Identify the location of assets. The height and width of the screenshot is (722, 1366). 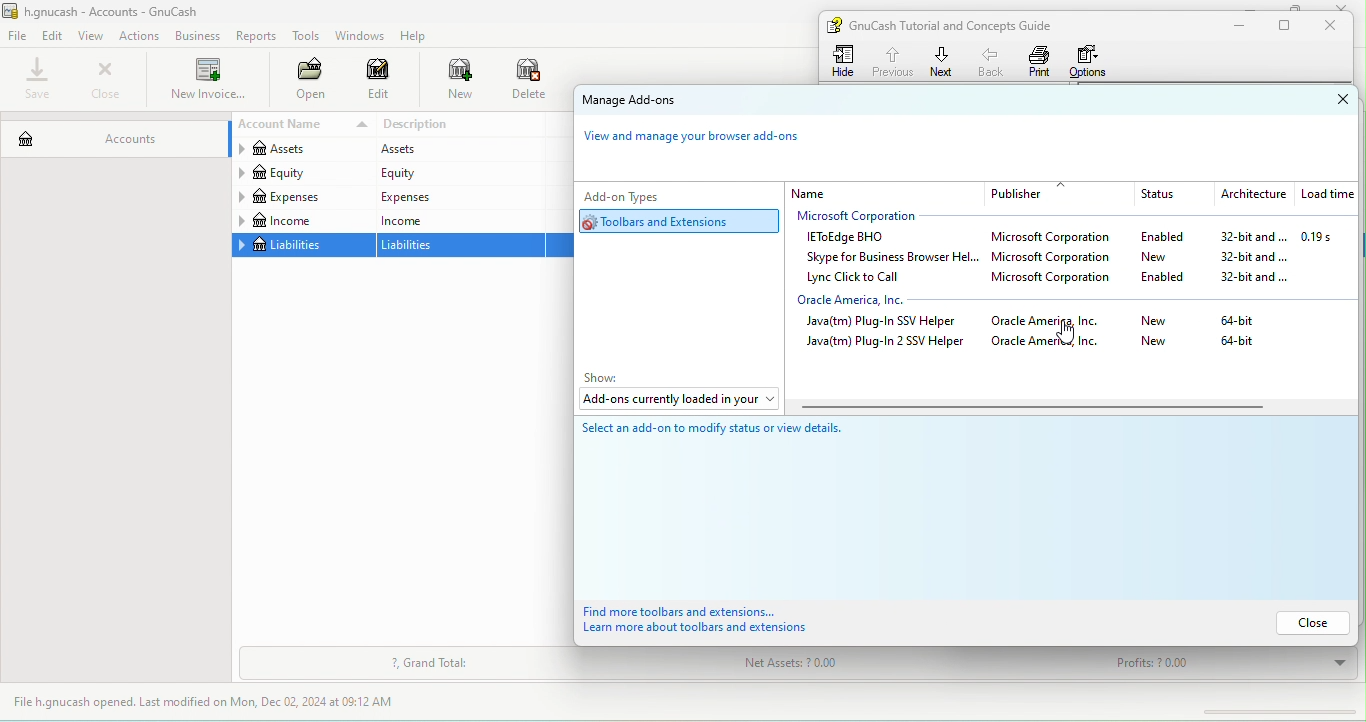
(456, 150).